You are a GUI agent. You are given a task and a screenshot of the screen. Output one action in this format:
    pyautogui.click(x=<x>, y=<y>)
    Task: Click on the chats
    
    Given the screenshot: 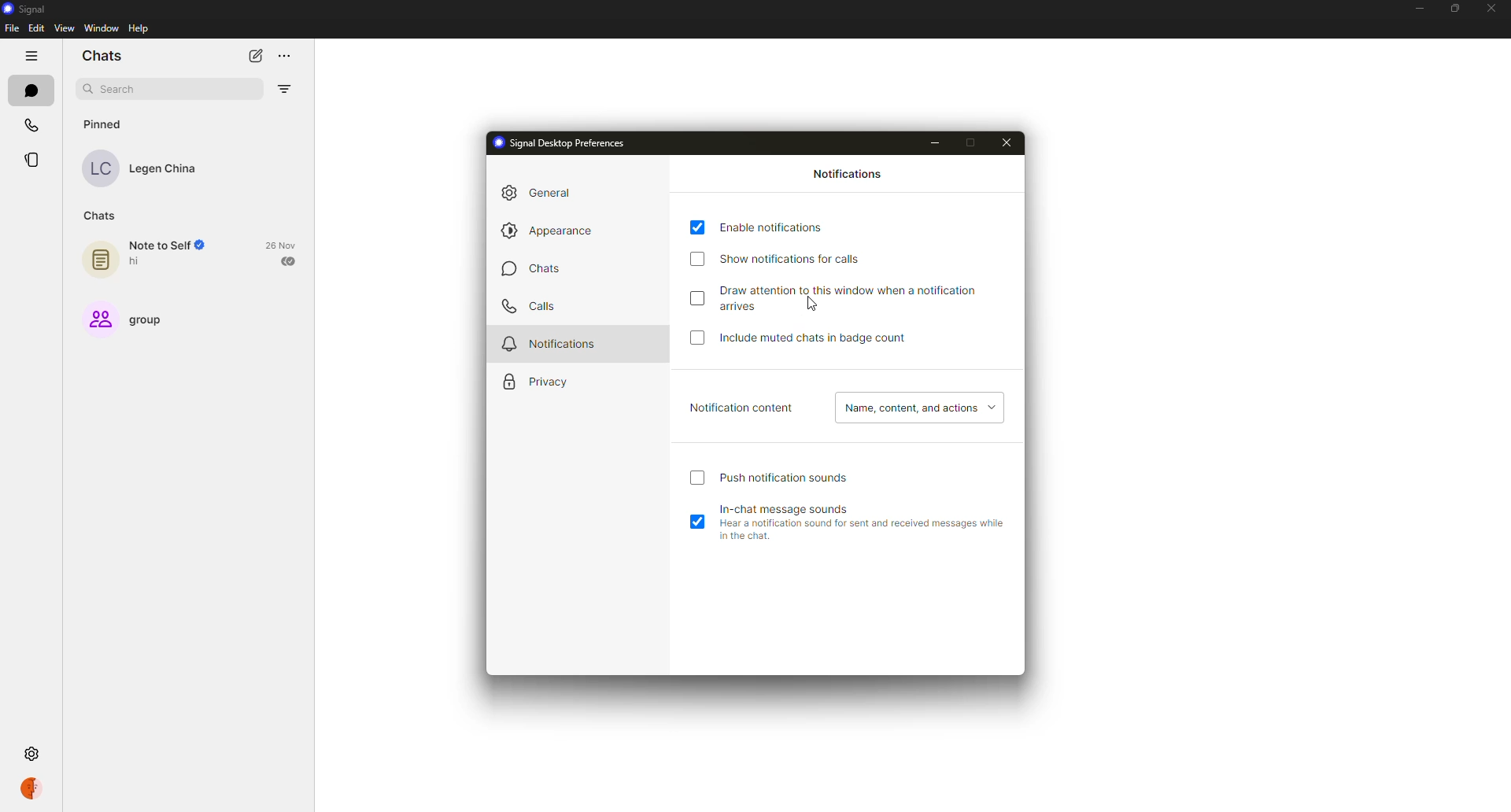 What is the action you would take?
    pyautogui.click(x=535, y=268)
    